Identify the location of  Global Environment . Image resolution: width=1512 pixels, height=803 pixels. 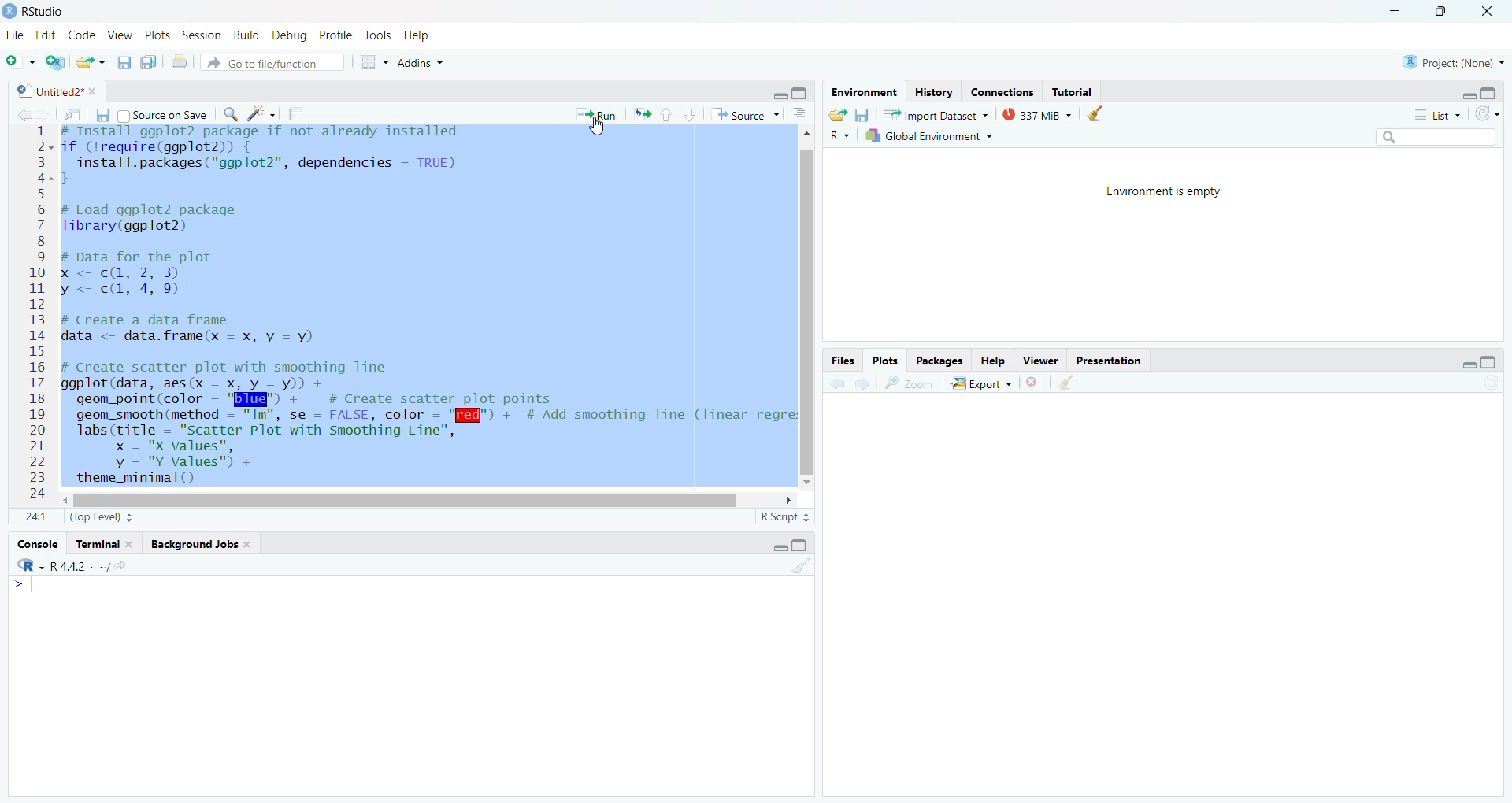
(929, 136).